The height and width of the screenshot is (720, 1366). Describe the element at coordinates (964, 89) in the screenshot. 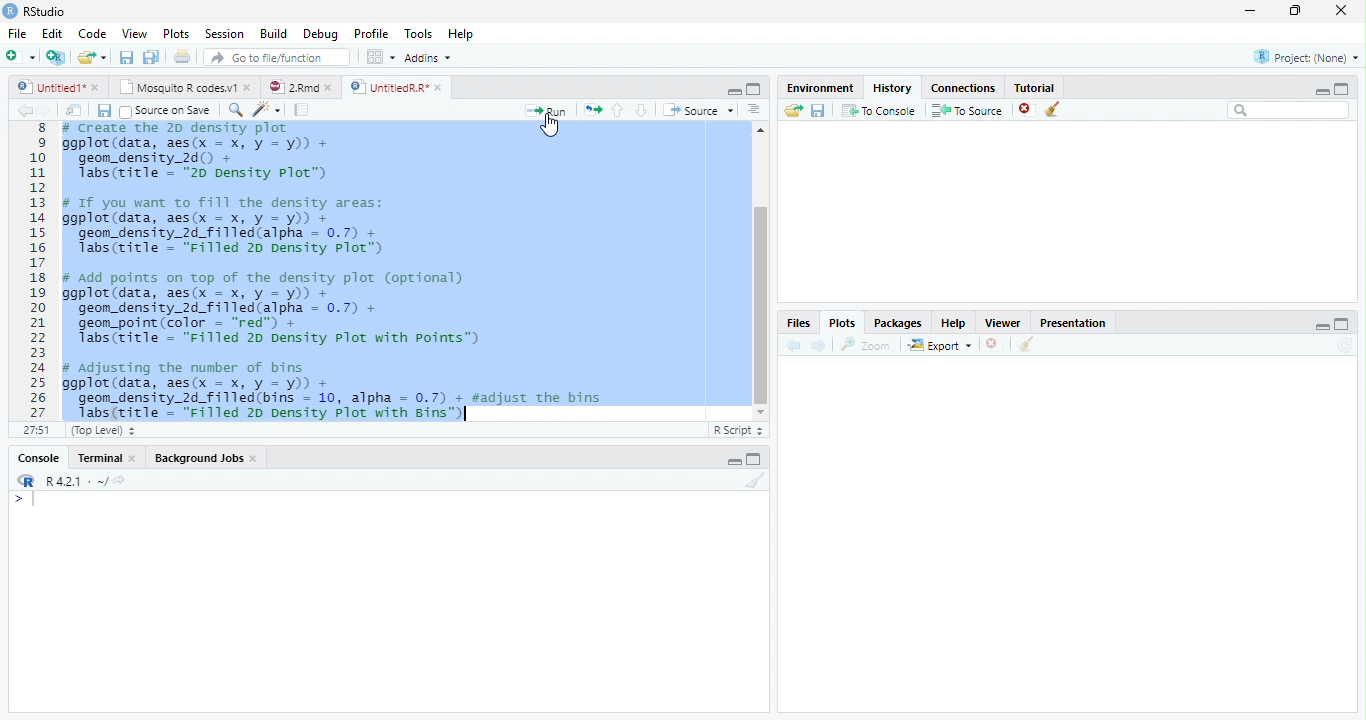

I see `Connections` at that location.